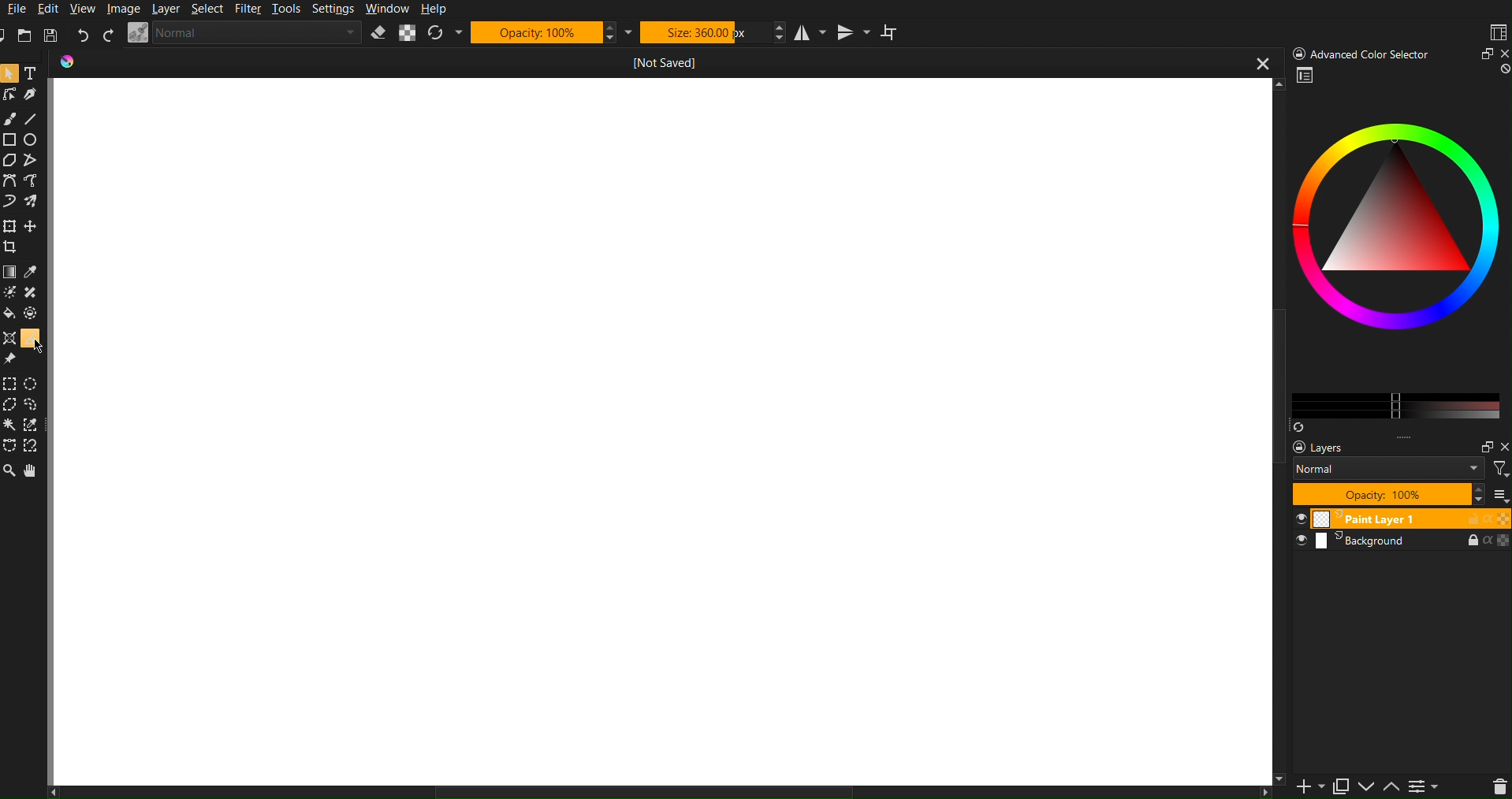 The height and width of the screenshot is (799, 1512). What do you see at coordinates (34, 225) in the screenshot?
I see `Move` at bounding box center [34, 225].